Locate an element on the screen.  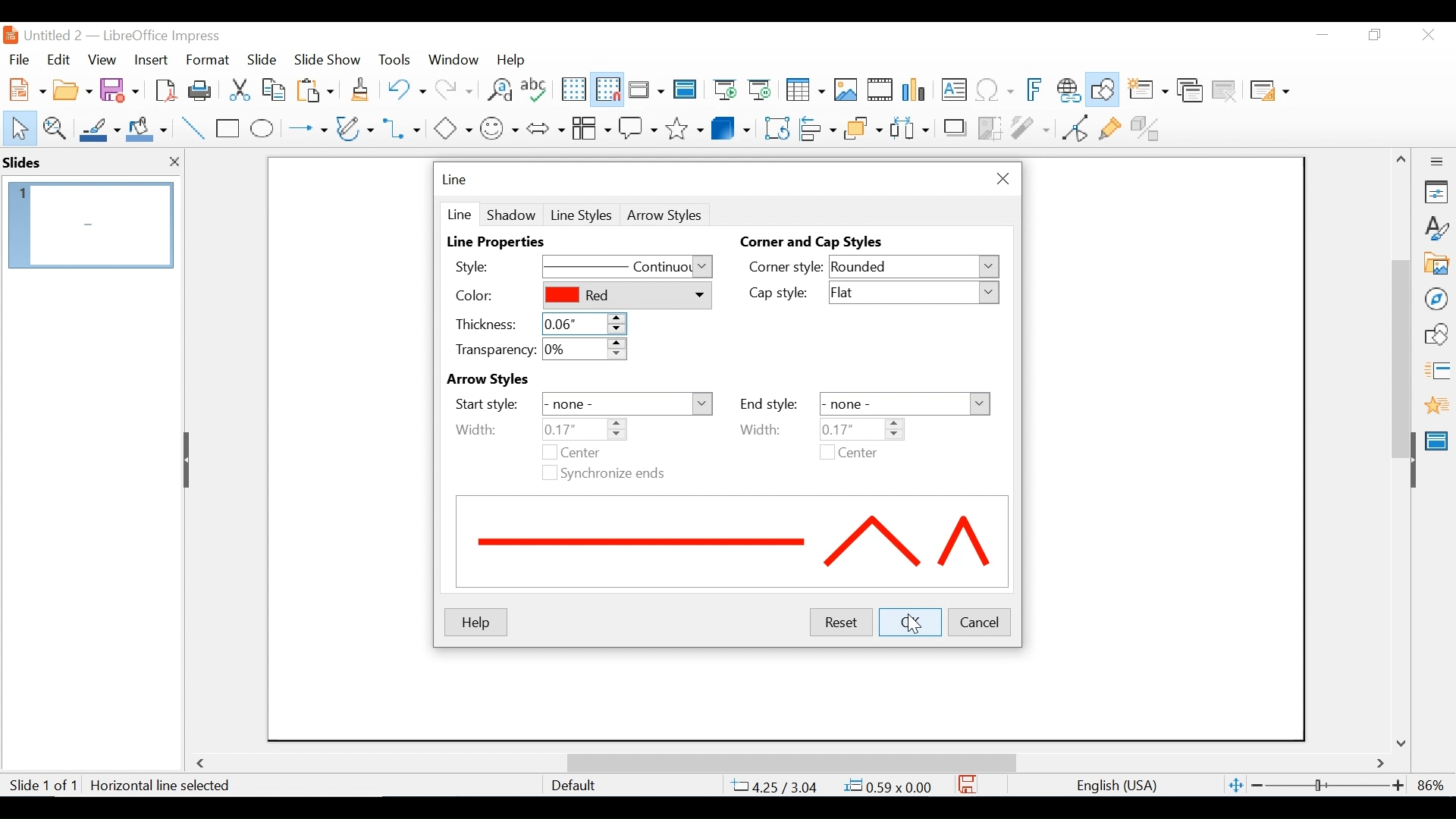
Continous is located at coordinates (627, 268).